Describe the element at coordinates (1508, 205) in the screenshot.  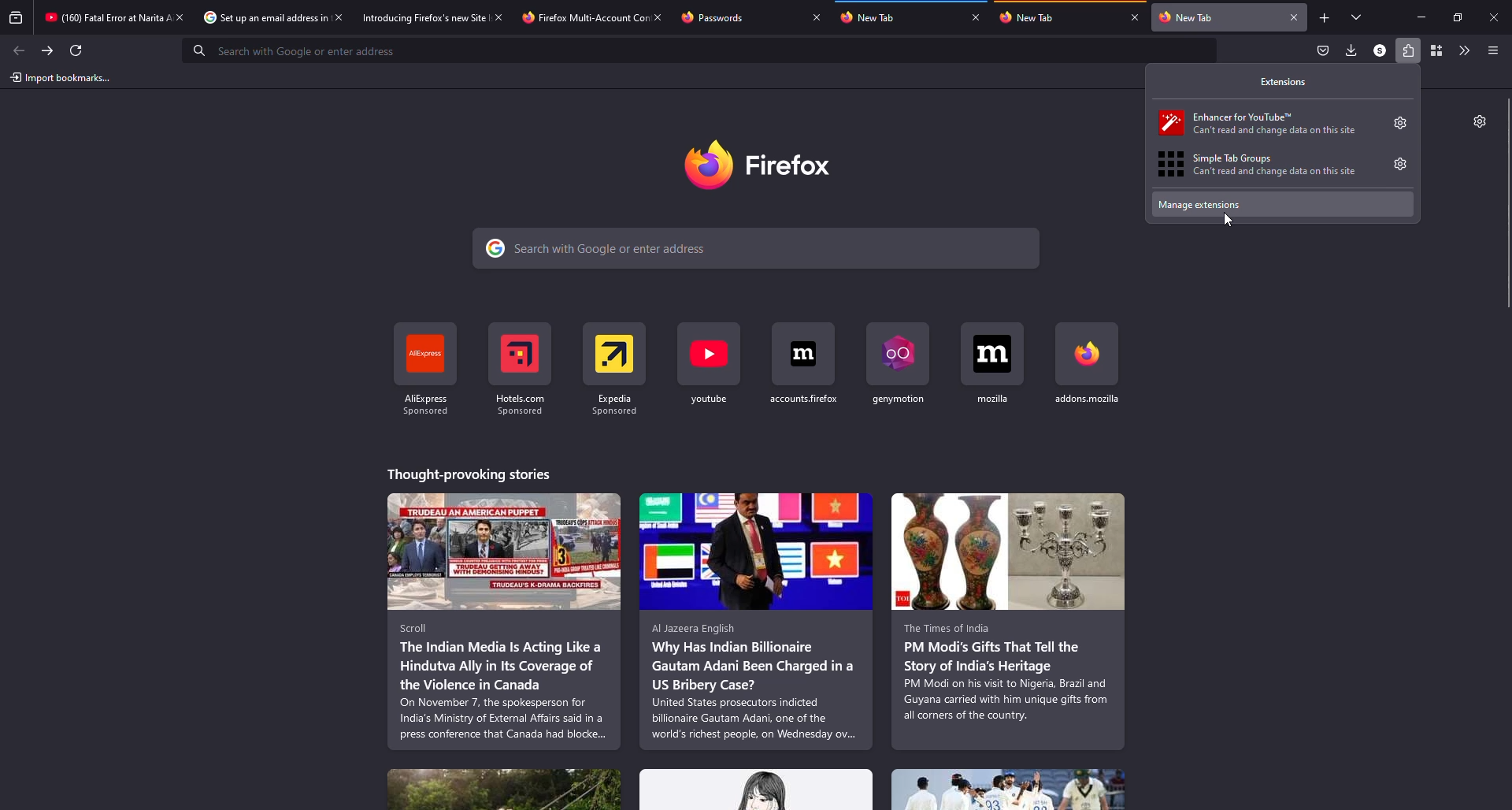
I see `scroll bar` at that location.